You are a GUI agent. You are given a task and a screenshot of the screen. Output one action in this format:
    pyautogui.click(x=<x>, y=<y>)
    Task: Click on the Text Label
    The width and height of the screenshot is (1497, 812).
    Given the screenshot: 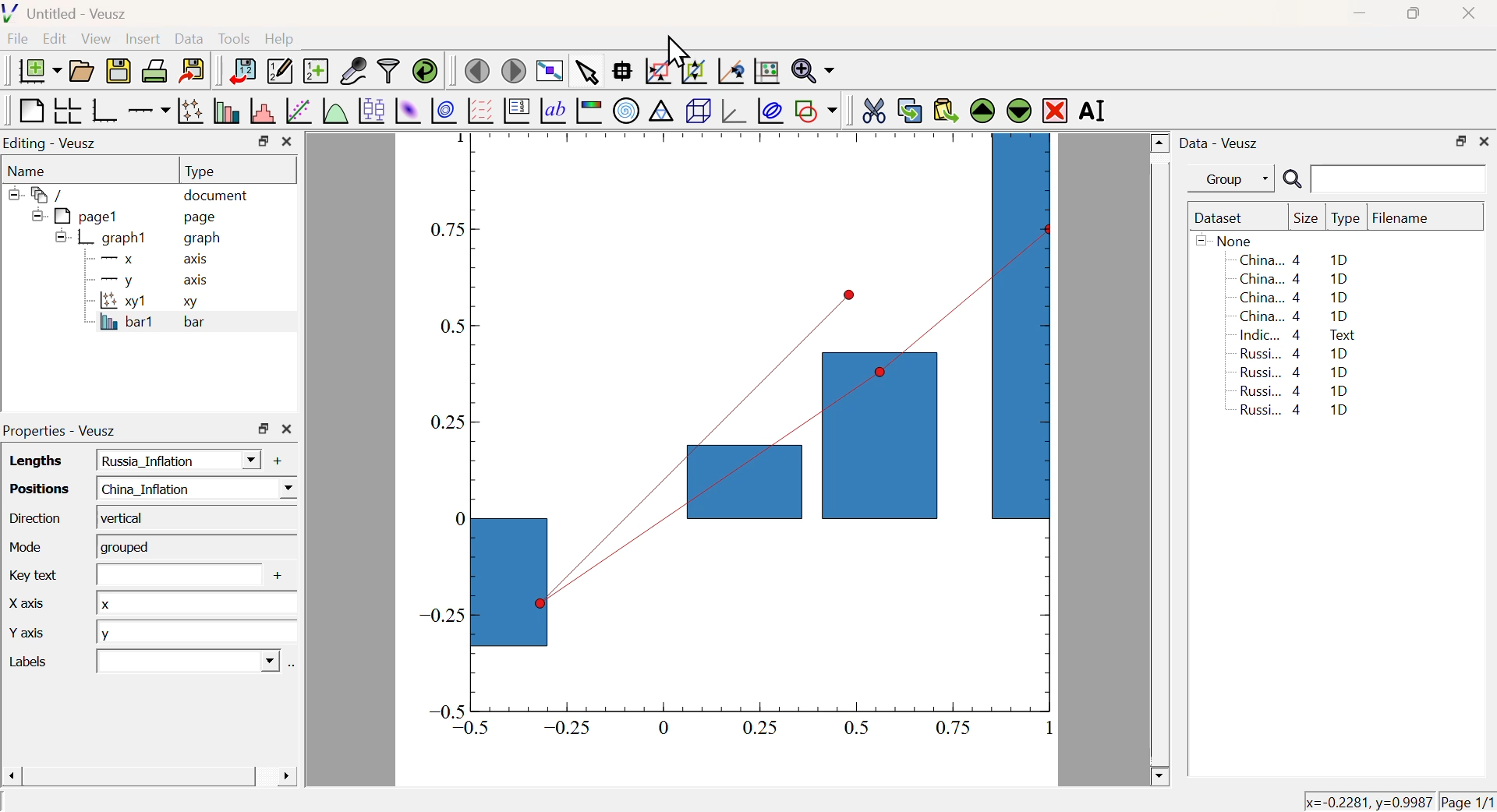 What is the action you would take?
    pyautogui.click(x=553, y=111)
    